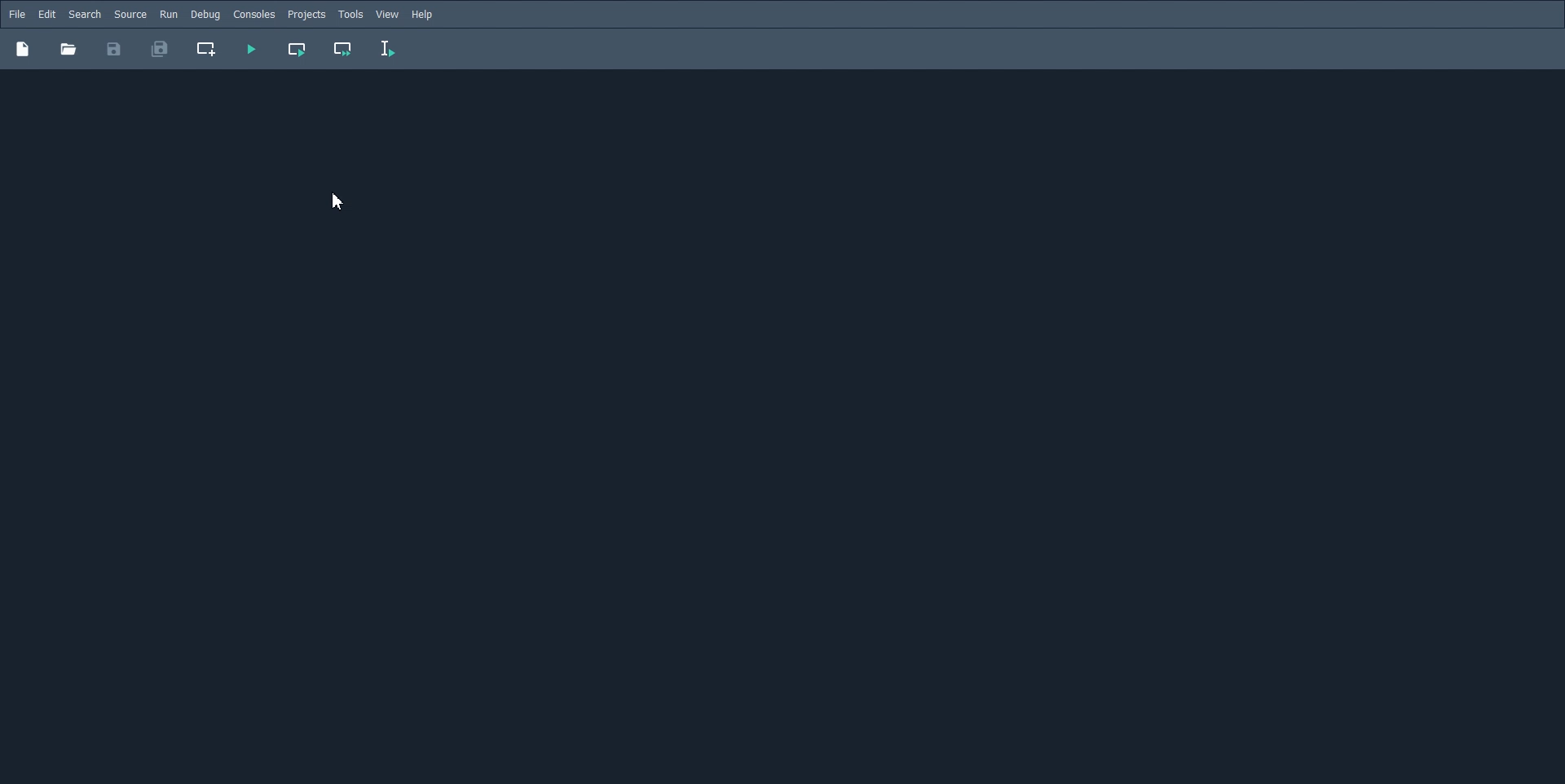  I want to click on Save All File, so click(158, 49).